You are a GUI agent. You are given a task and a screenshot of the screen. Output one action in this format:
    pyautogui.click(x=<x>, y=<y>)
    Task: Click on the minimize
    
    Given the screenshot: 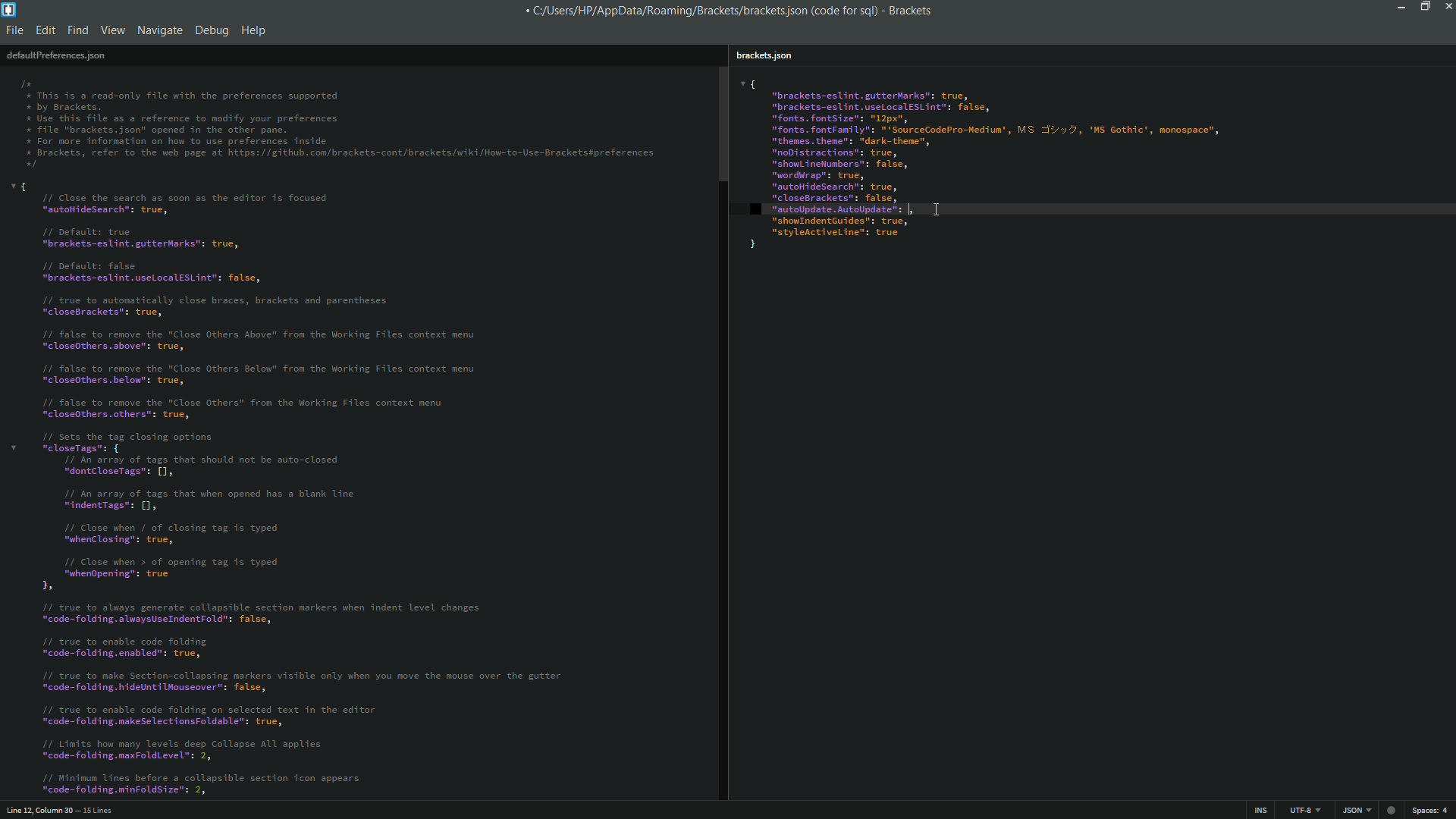 What is the action you would take?
    pyautogui.click(x=1401, y=8)
    